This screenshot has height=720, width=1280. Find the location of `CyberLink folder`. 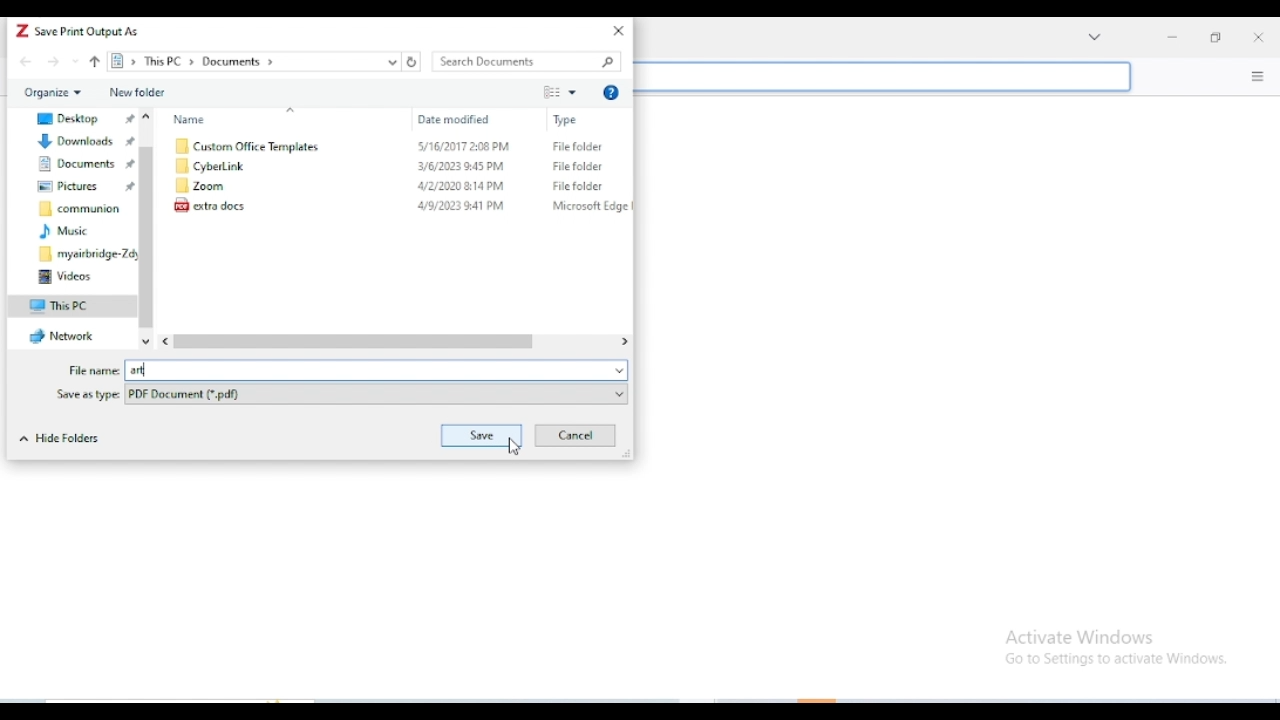

CyberLink folder is located at coordinates (210, 166).